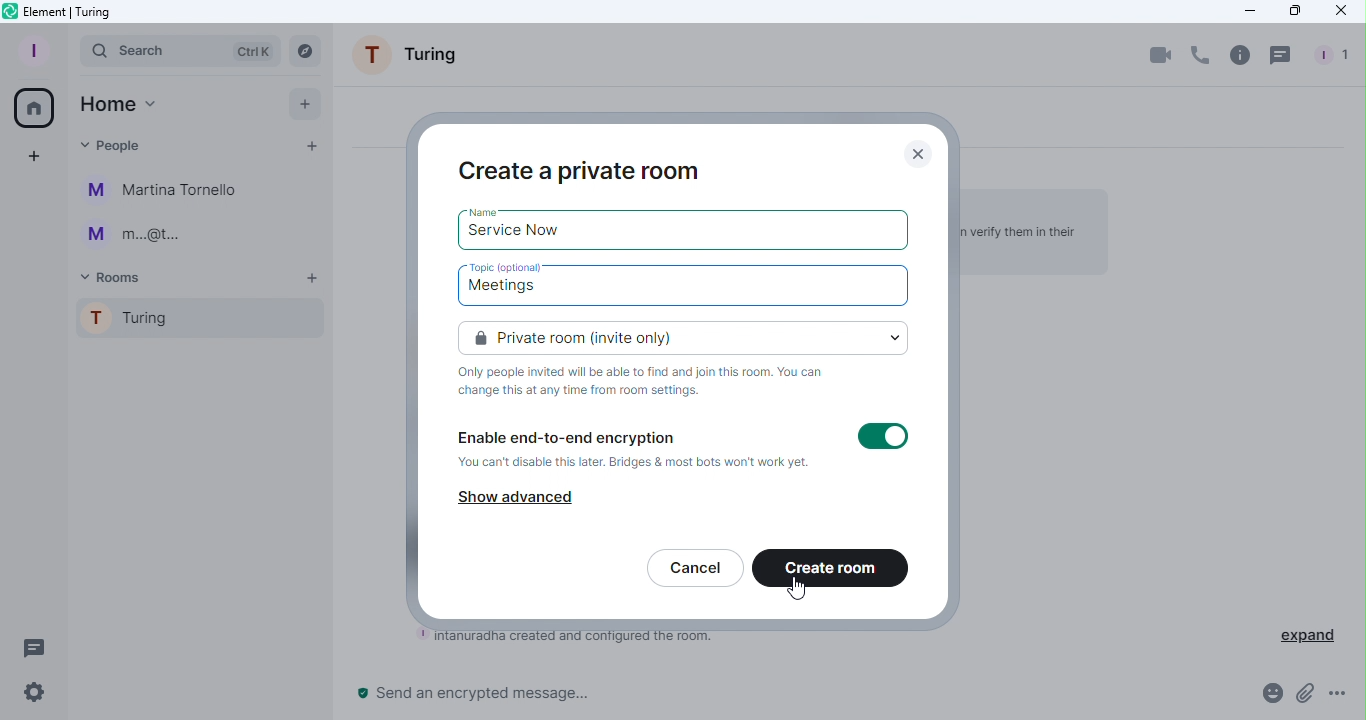 The image size is (1366, 720). I want to click on service now, so click(516, 234).